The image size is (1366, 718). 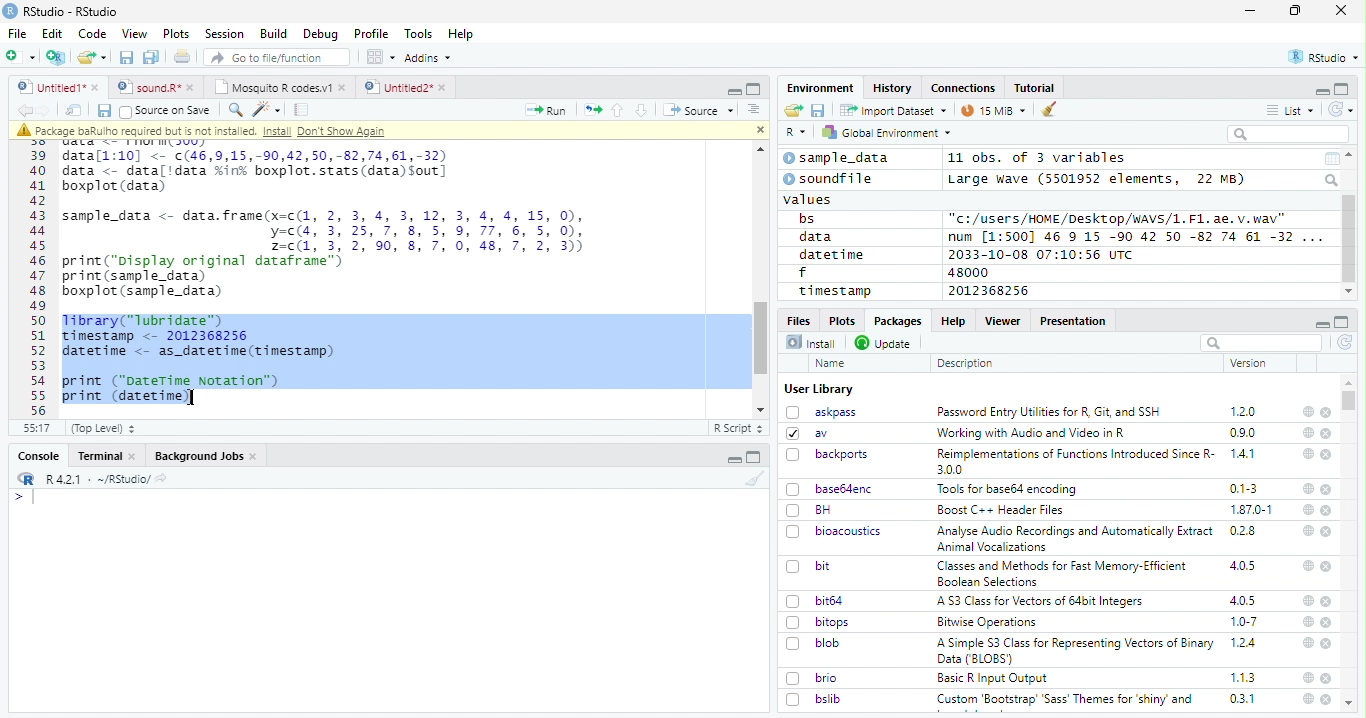 I want to click on scroll down, so click(x=1348, y=292).